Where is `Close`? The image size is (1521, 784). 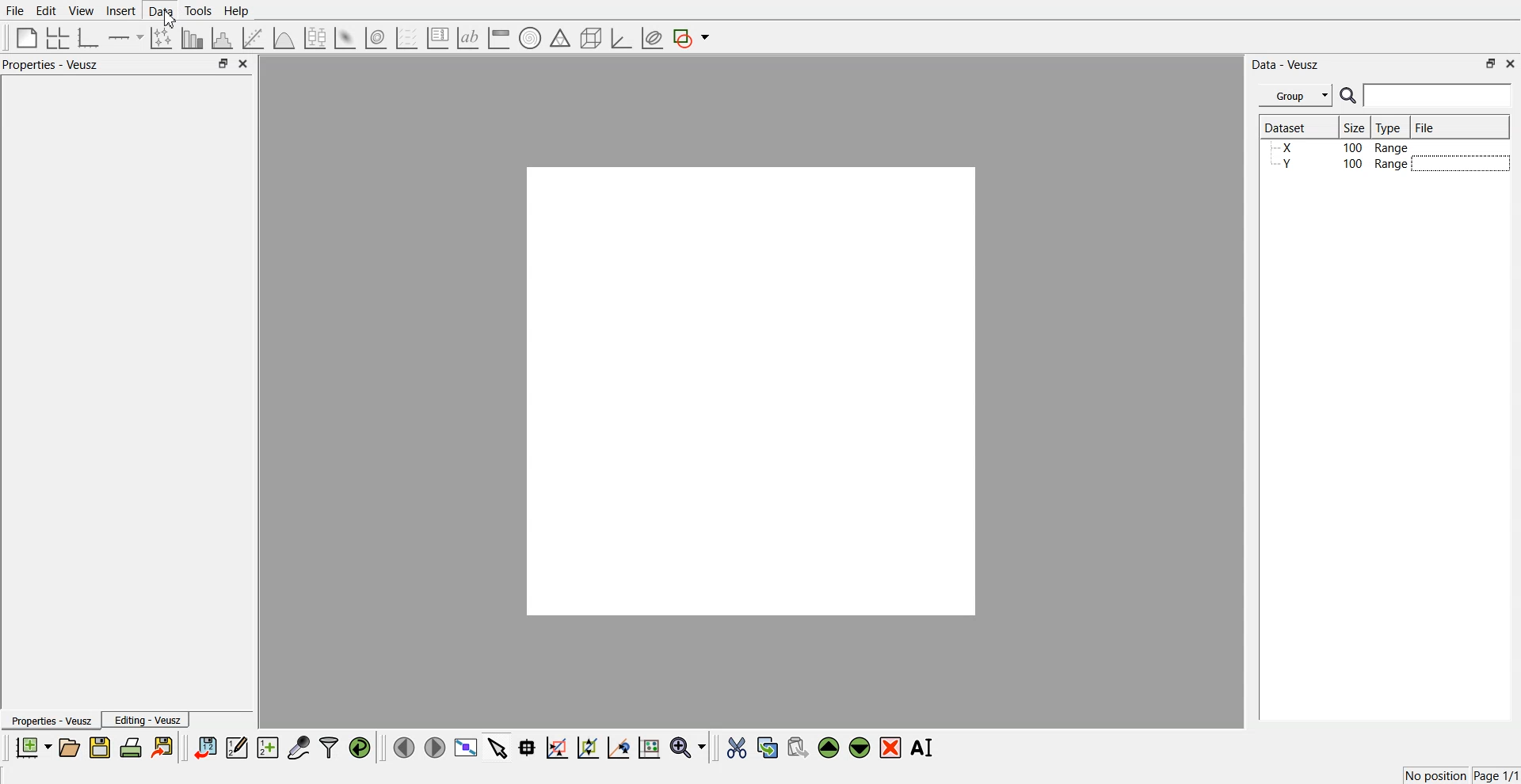
Close is located at coordinates (1511, 63).